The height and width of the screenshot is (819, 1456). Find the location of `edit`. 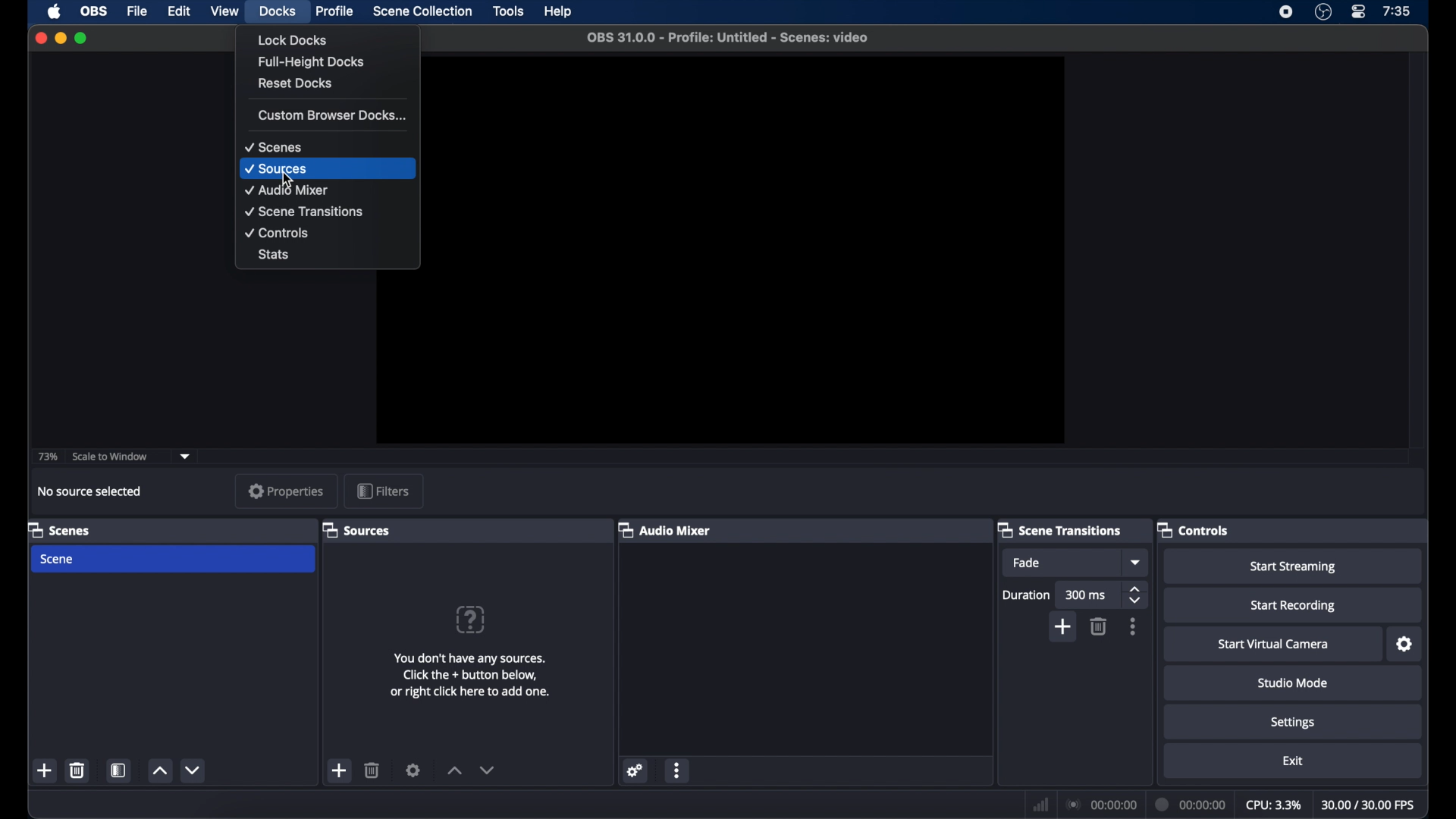

edit is located at coordinates (181, 11).